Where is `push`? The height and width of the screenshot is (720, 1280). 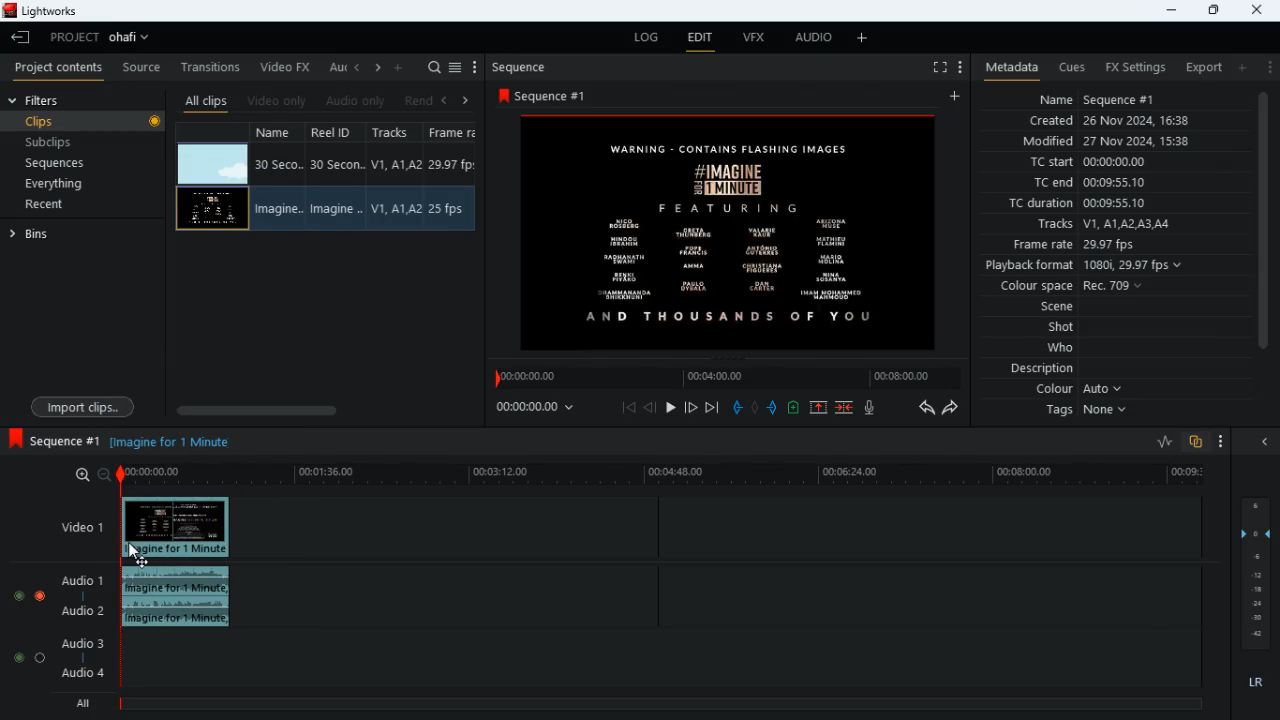
push is located at coordinates (774, 409).